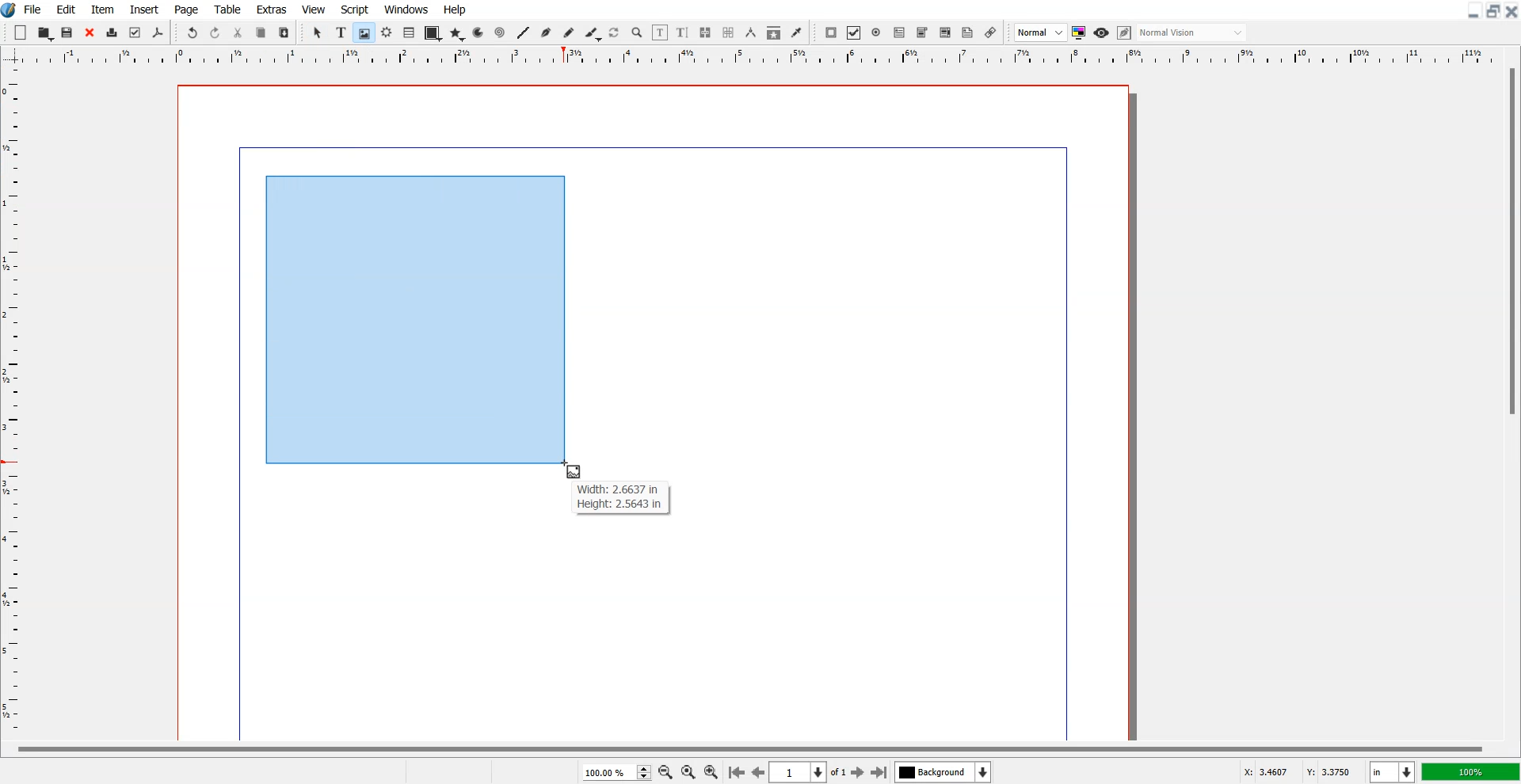 This screenshot has width=1521, height=784. Describe the element at coordinates (1393, 771) in the screenshot. I see `Measurement in inches` at that location.